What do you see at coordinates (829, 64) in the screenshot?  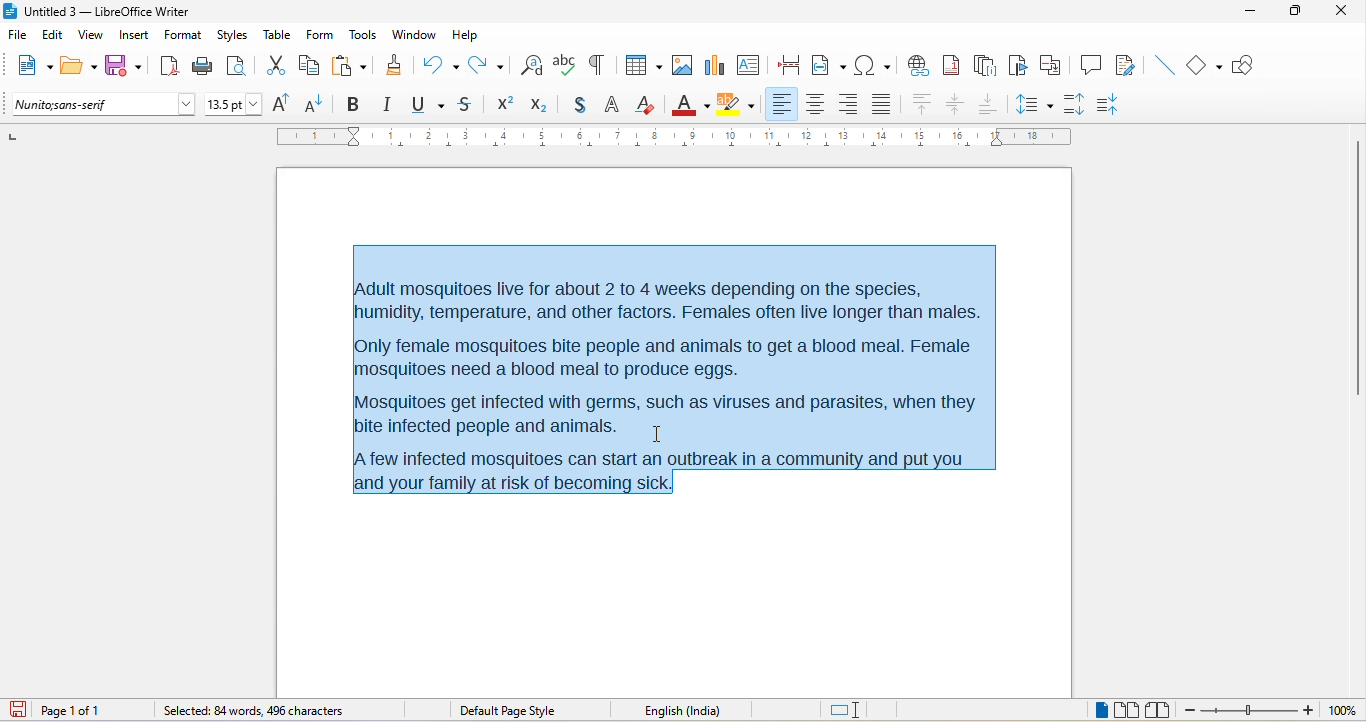 I see `field` at bounding box center [829, 64].